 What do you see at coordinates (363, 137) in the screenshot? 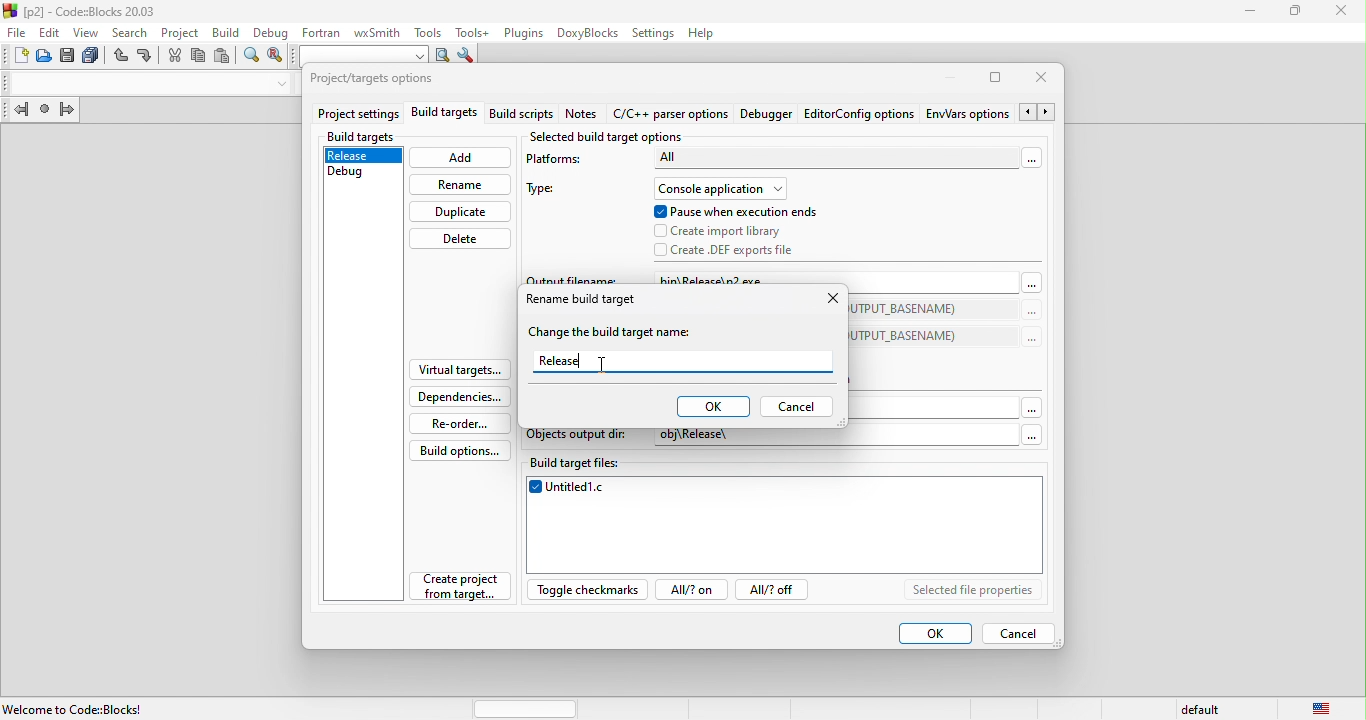
I see `build targets` at bounding box center [363, 137].